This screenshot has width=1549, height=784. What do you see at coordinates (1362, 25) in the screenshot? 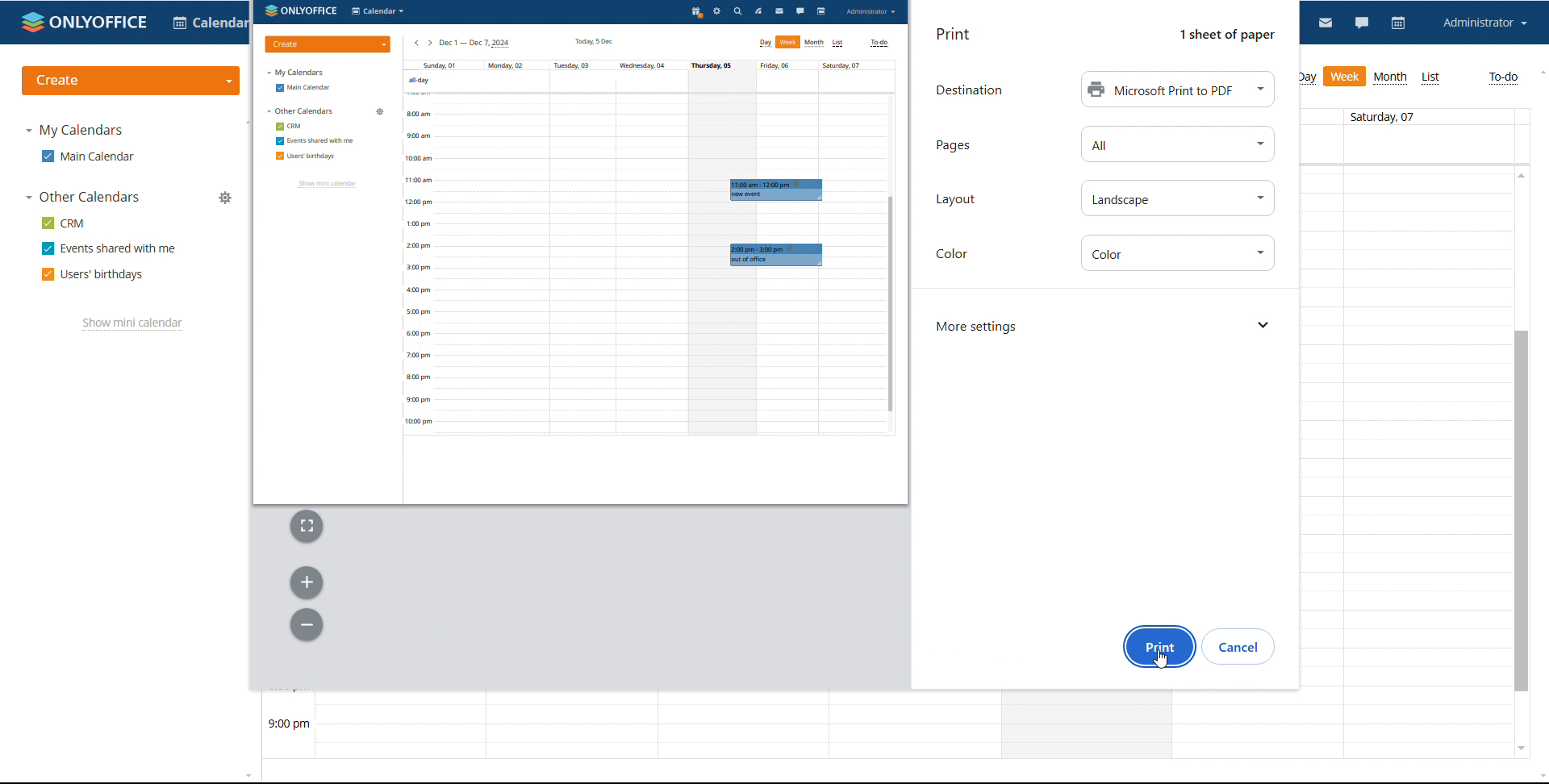
I see `chat` at bounding box center [1362, 25].